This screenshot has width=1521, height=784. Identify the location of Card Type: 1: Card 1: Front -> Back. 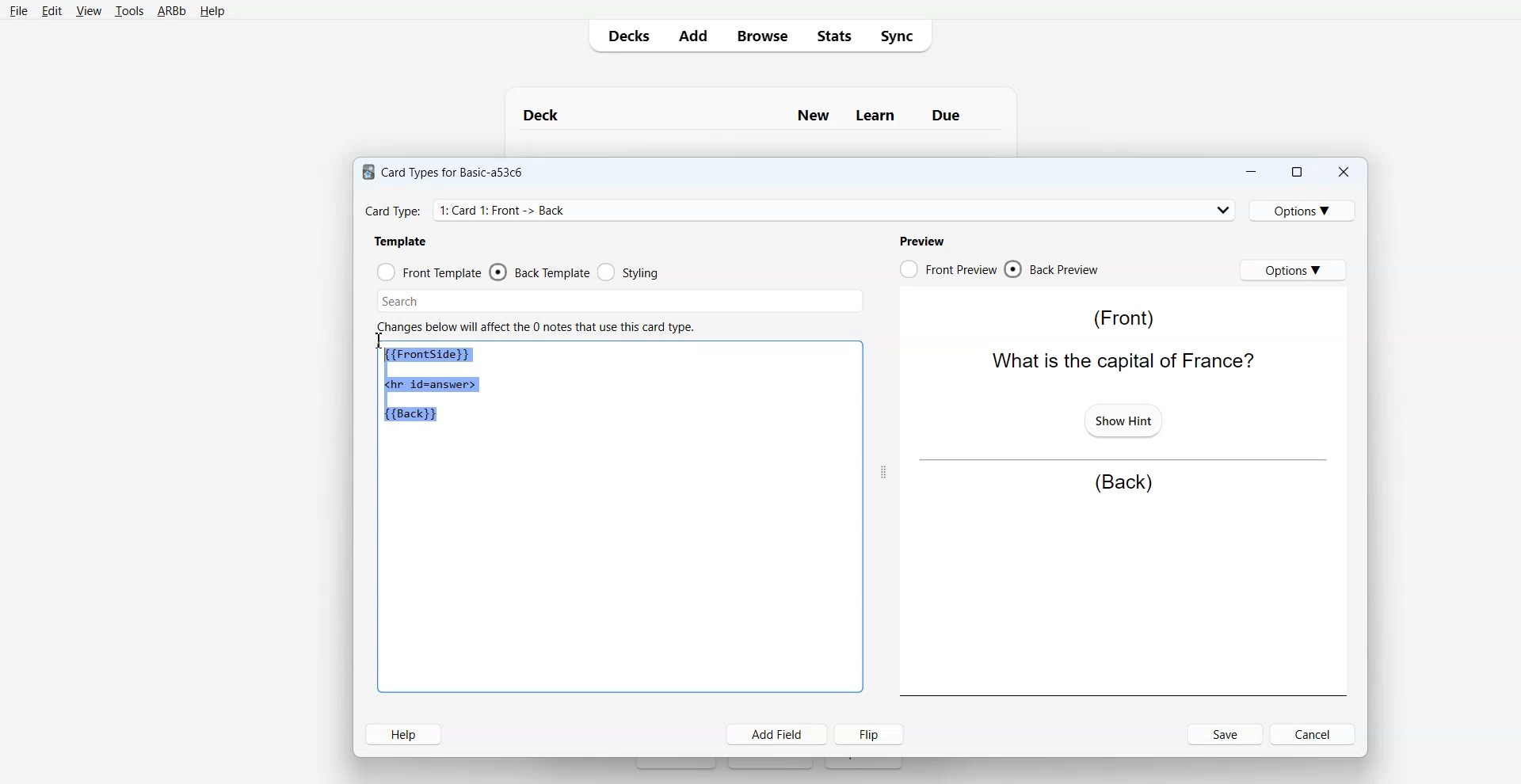
(509, 210).